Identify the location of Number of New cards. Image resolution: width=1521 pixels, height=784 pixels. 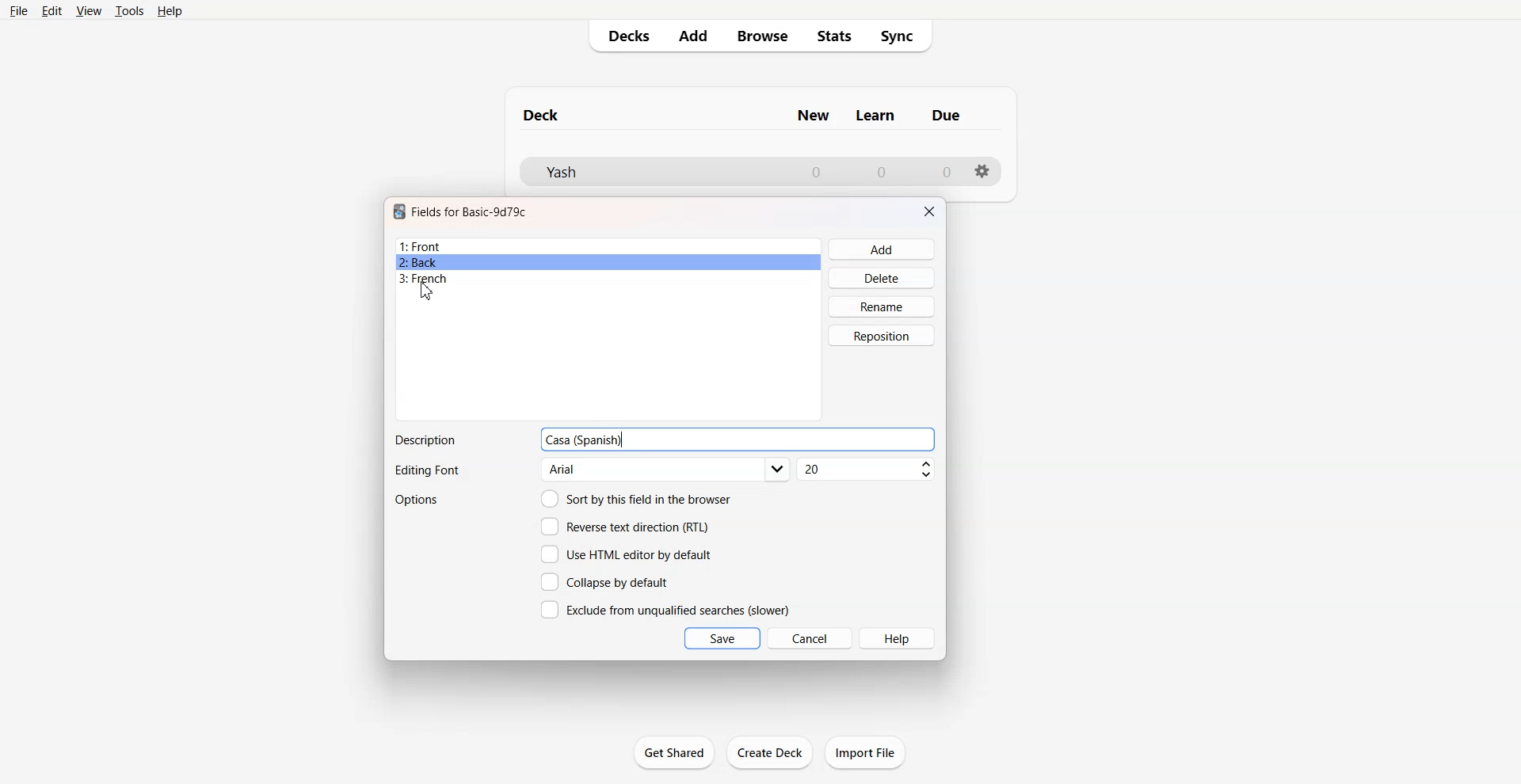
(816, 172).